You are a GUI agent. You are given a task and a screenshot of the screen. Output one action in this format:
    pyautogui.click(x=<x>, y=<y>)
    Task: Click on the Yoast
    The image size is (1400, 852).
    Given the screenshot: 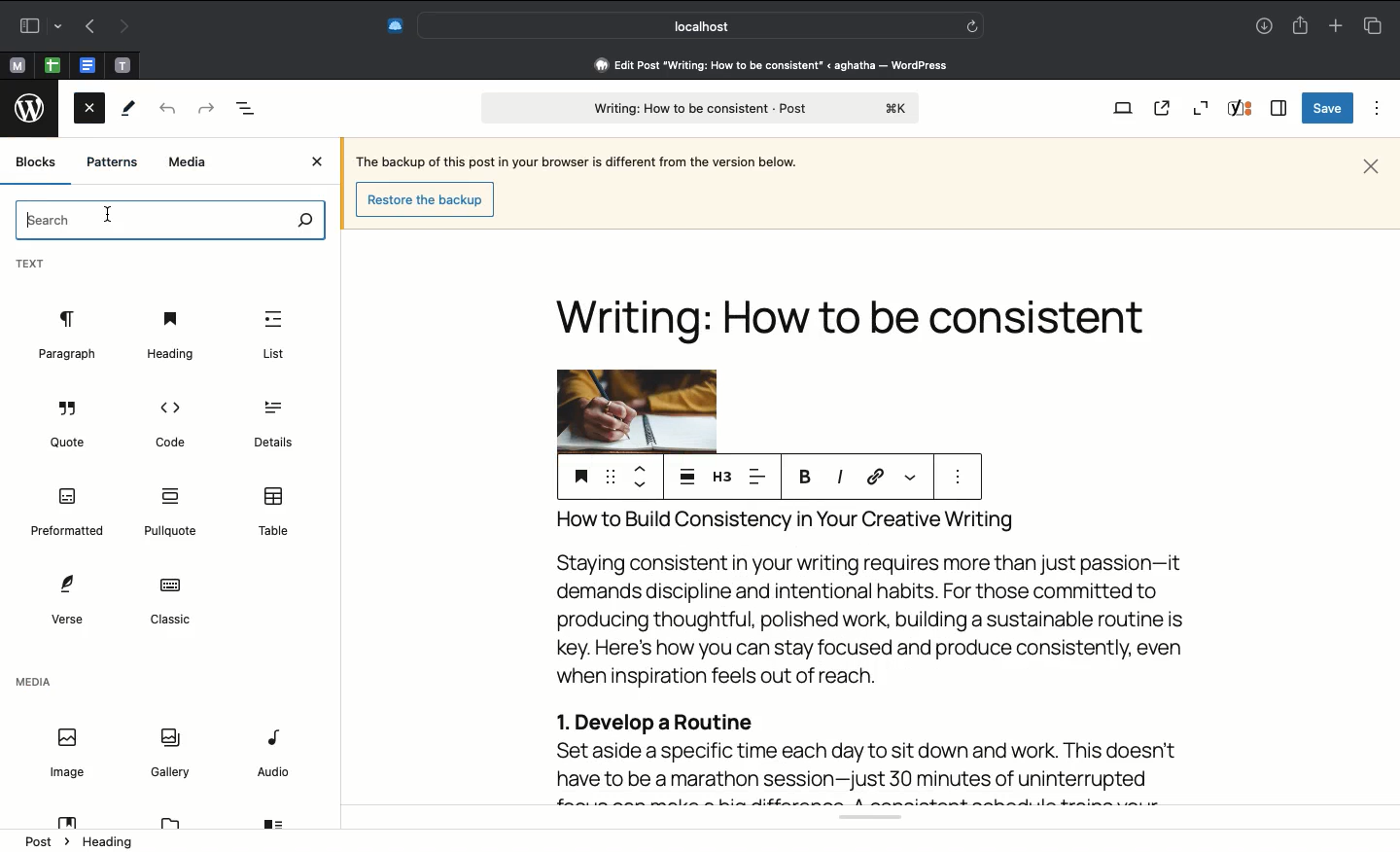 What is the action you would take?
    pyautogui.click(x=860, y=820)
    